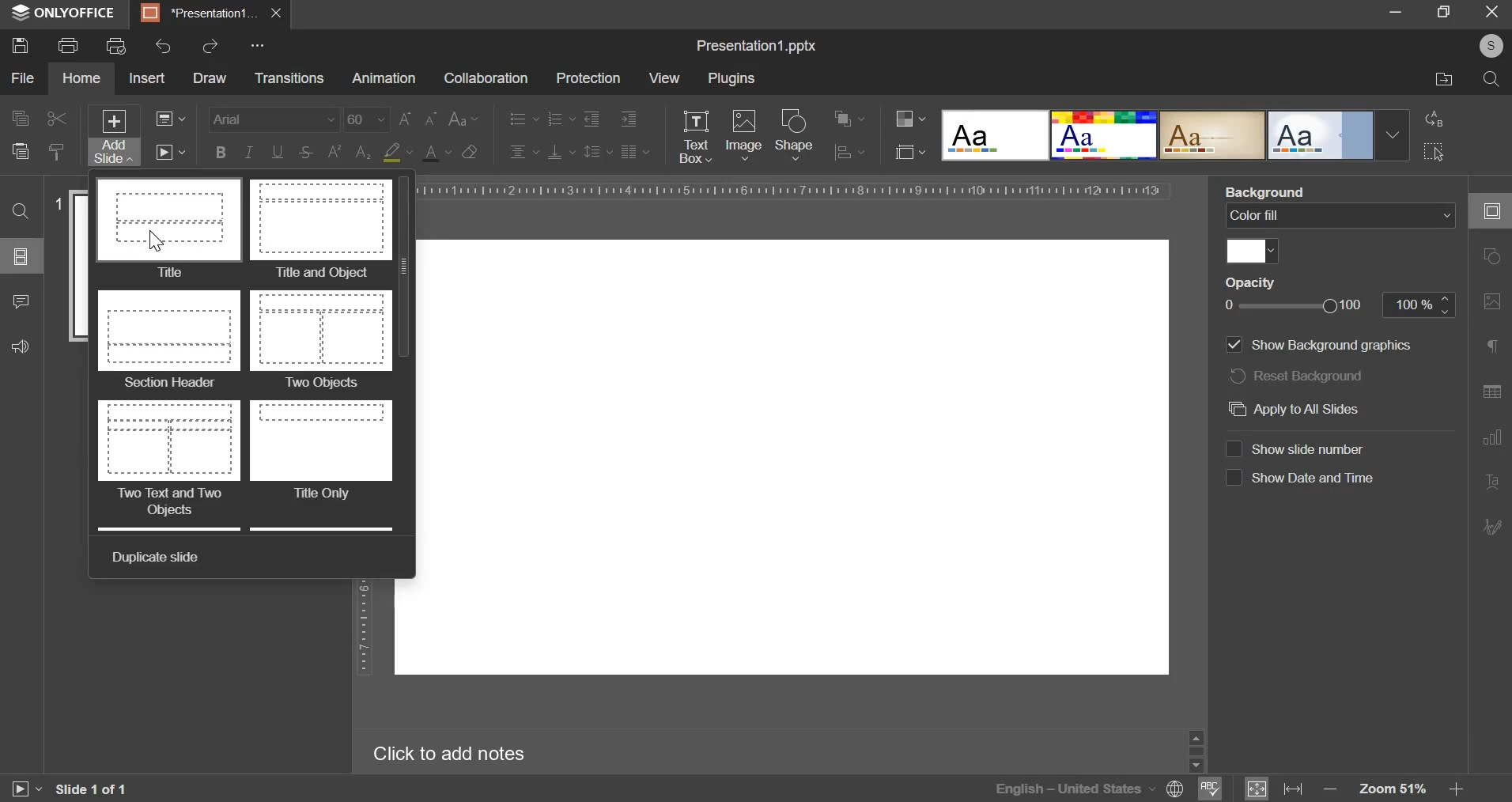  Describe the element at coordinates (694, 137) in the screenshot. I see `text box` at that location.